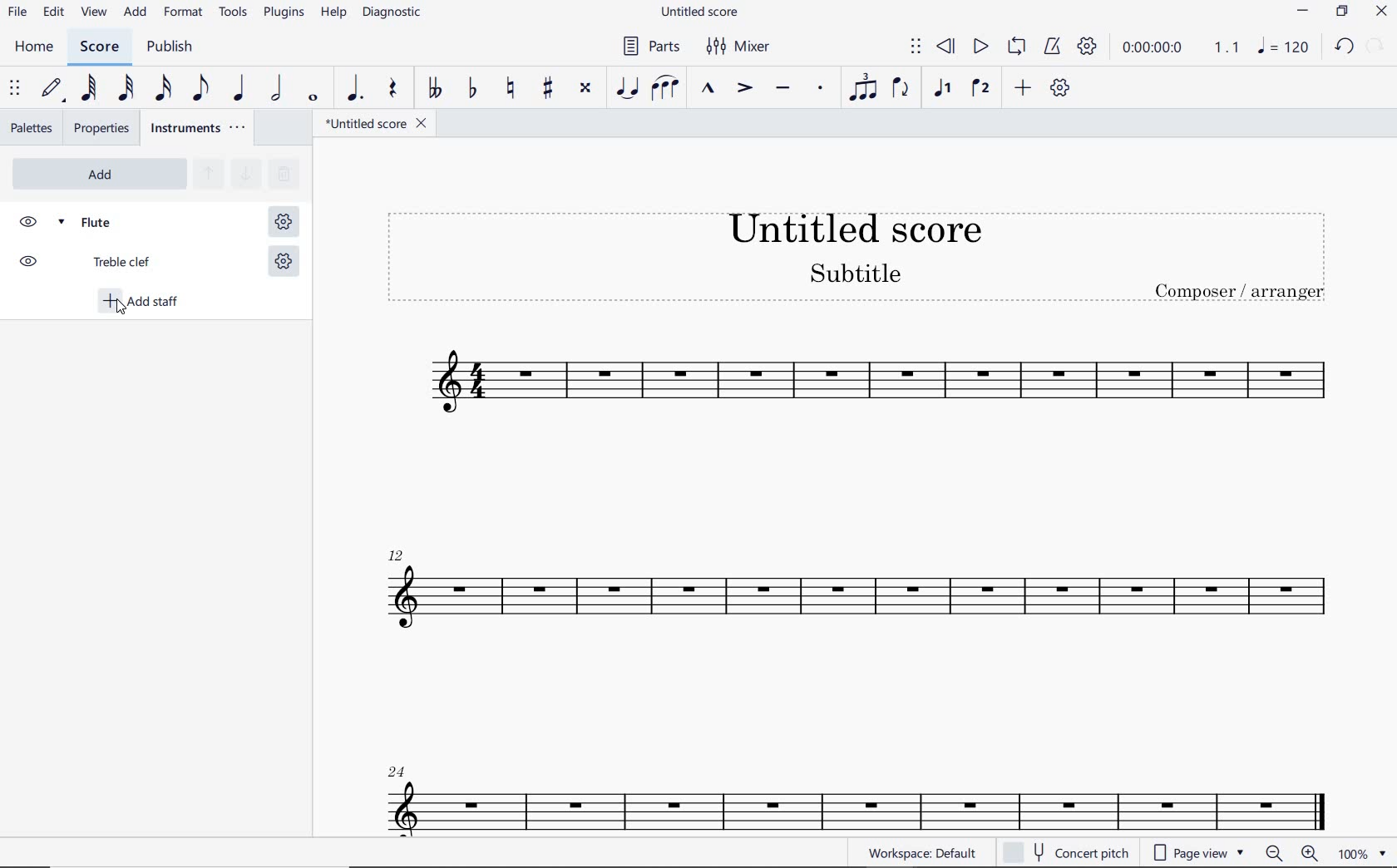 The image size is (1397, 868). What do you see at coordinates (15, 91) in the screenshot?
I see `SELECT TO MOVE` at bounding box center [15, 91].